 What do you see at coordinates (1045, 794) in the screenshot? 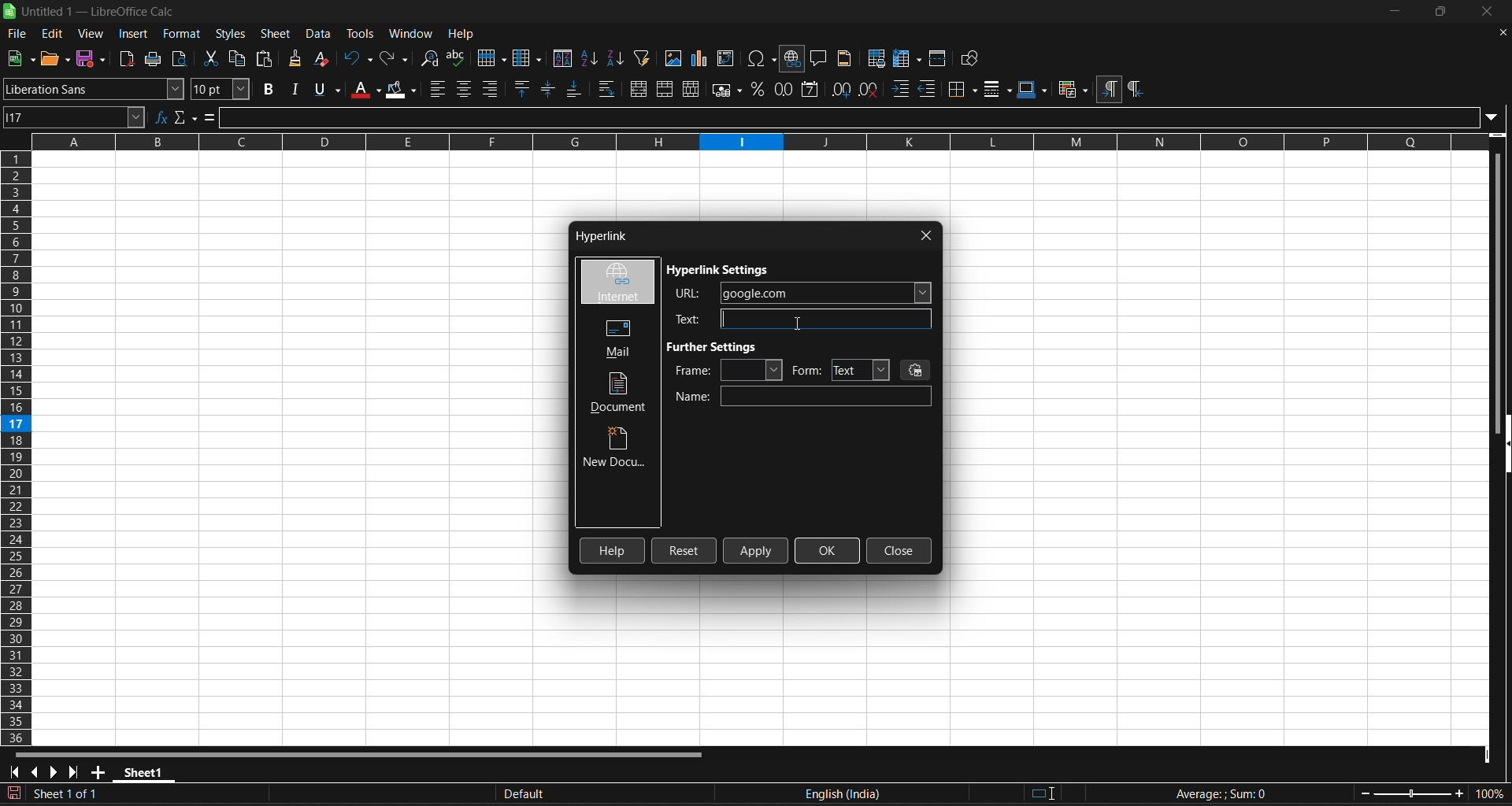
I see `standard selection` at bounding box center [1045, 794].